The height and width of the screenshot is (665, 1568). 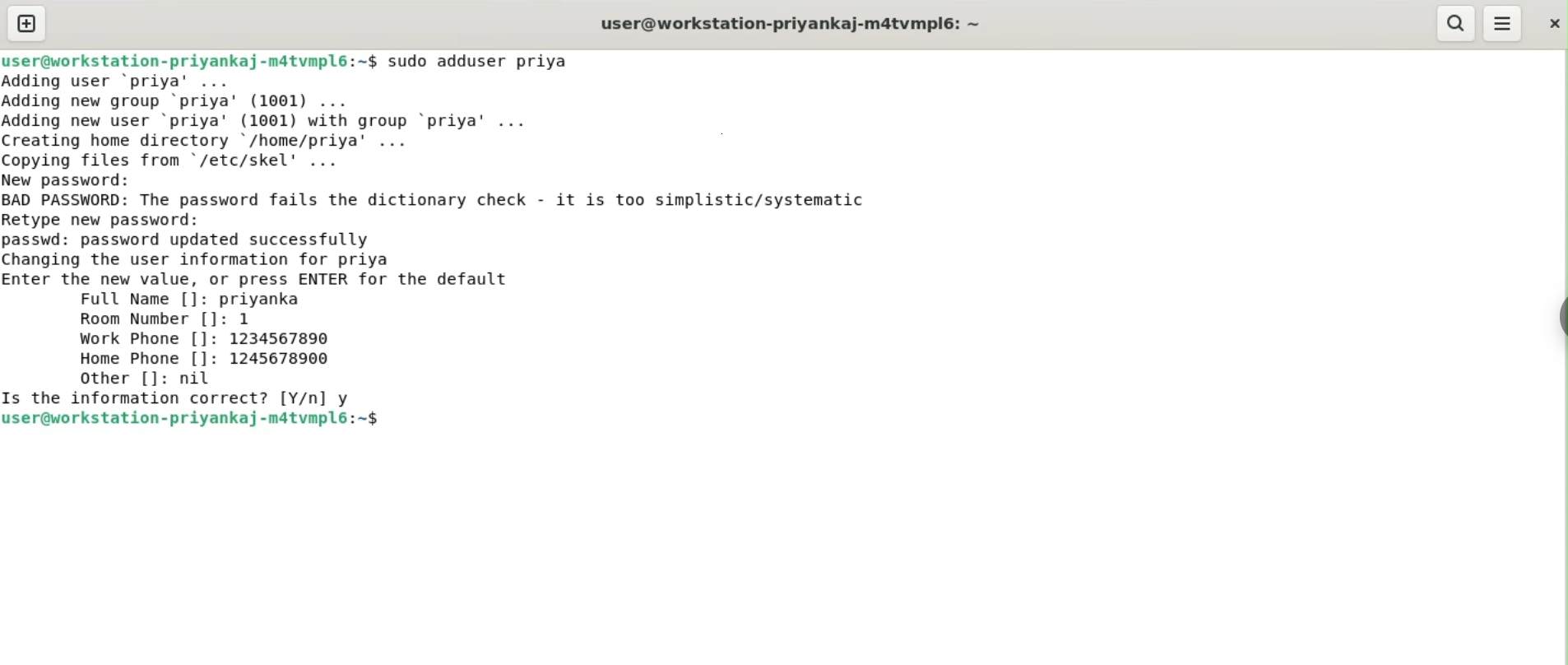 I want to click on close, so click(x=1552, y=23).